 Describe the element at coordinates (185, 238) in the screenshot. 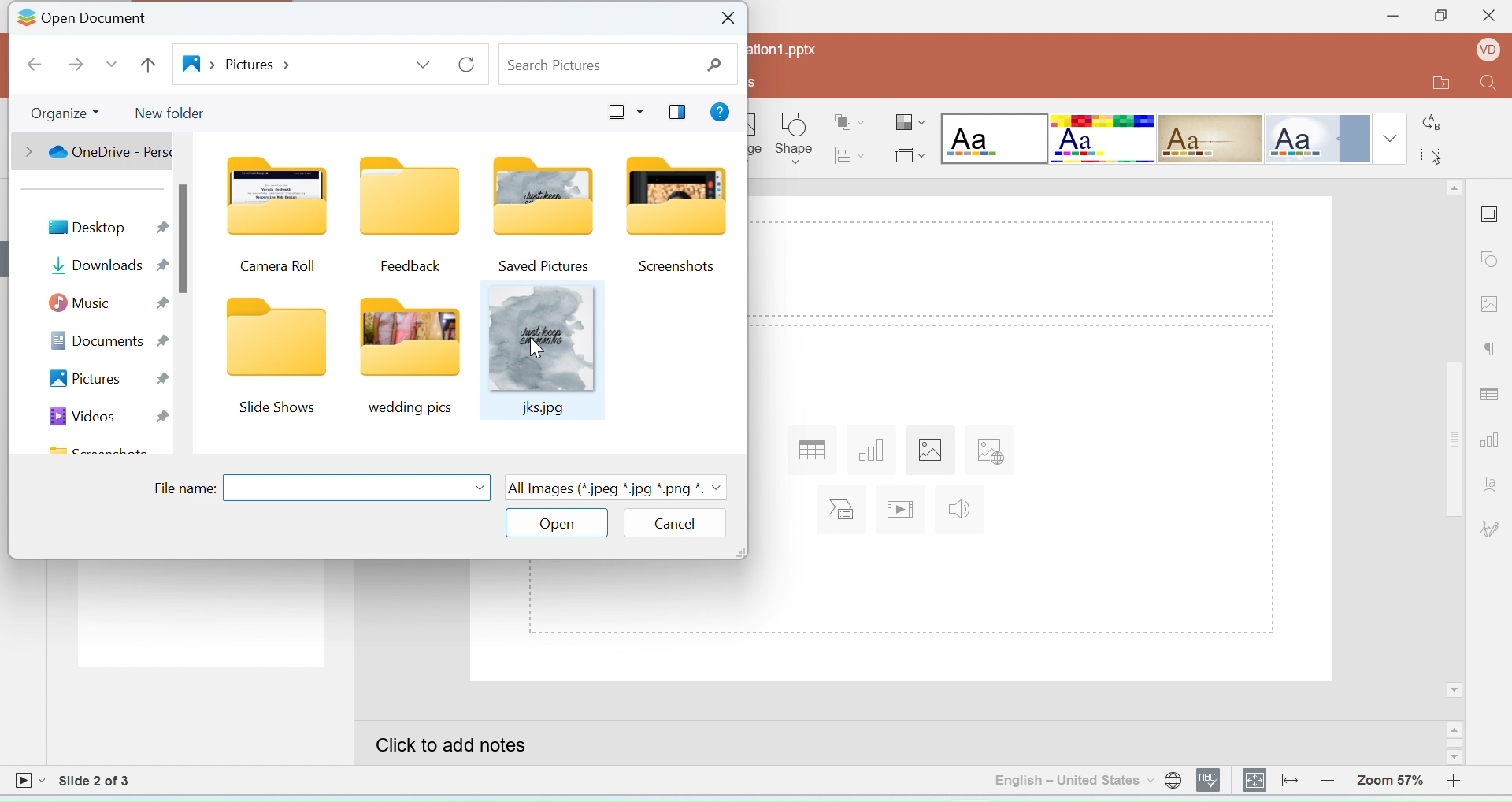

I see `scroll bar` at that location.